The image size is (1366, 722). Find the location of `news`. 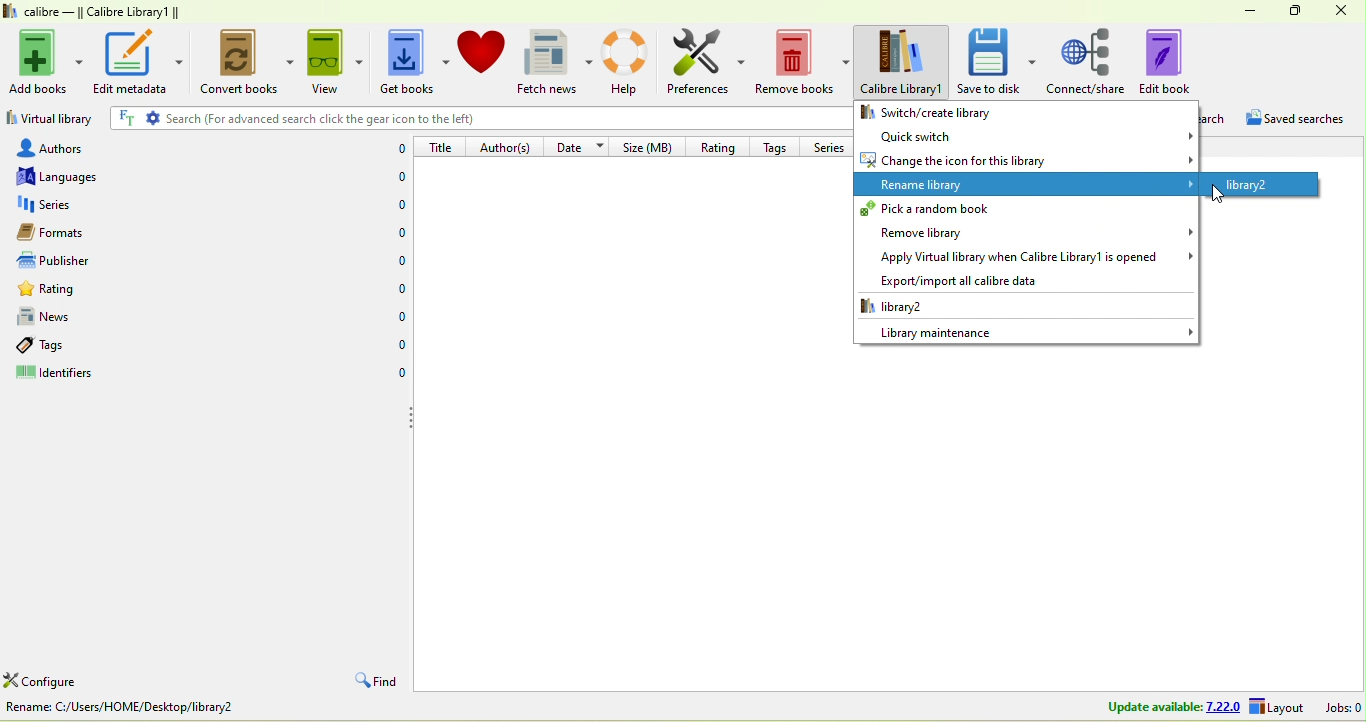

news is located at coordinates (84, 317).